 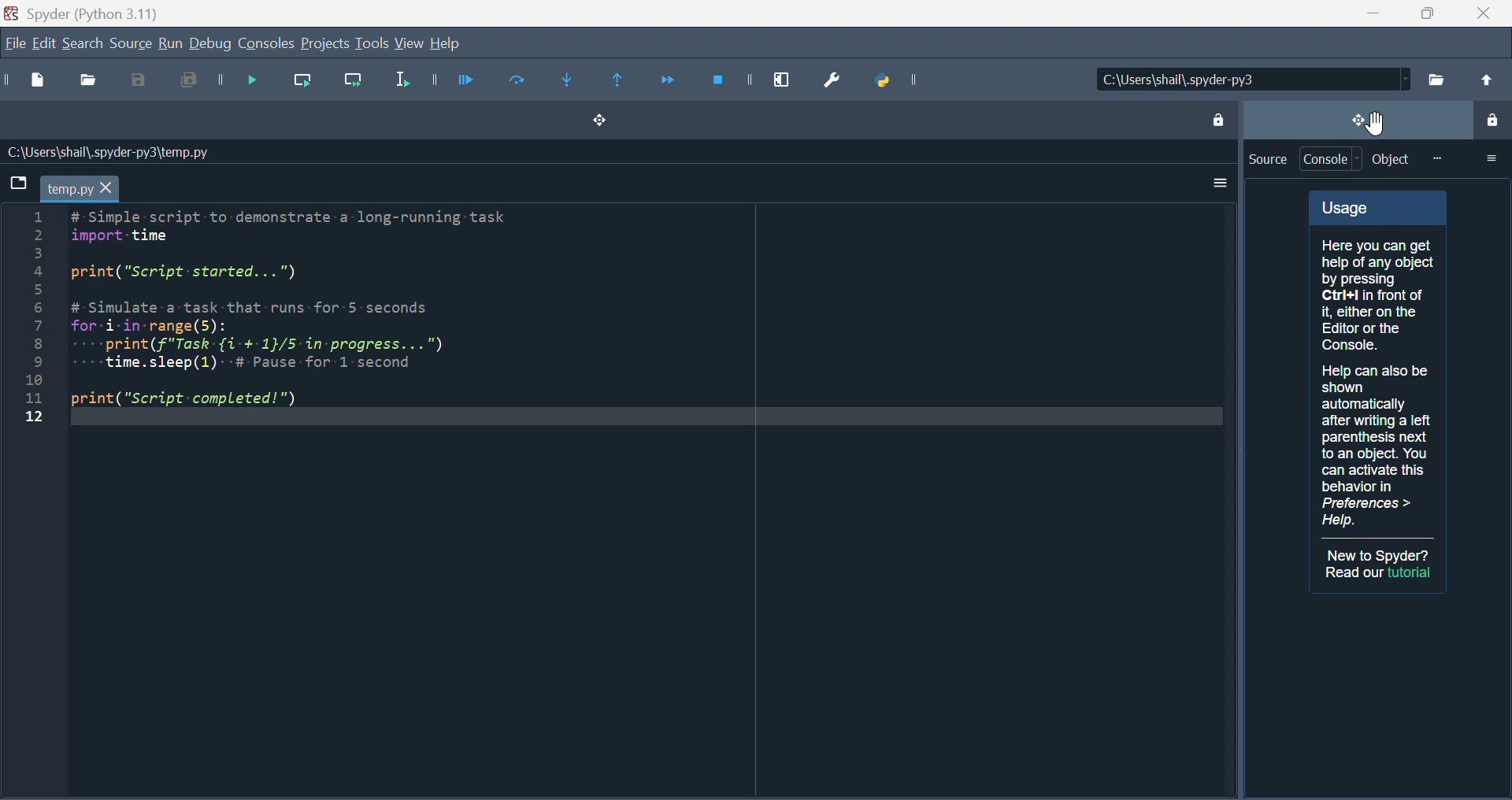 What do you see at coordinates (305, 82) in the screenshot?
I see `Run current line` at bounding box center [305, 82].